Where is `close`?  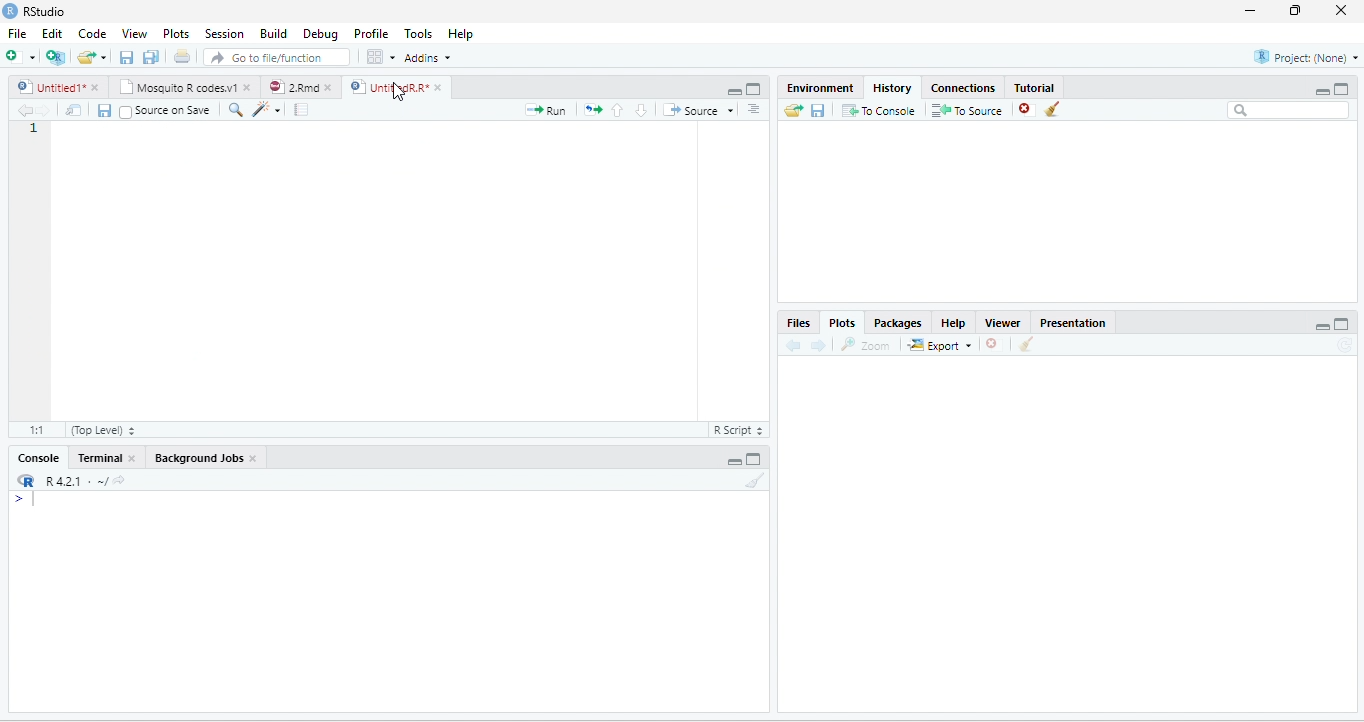
close is located at coordinates (254, 459).